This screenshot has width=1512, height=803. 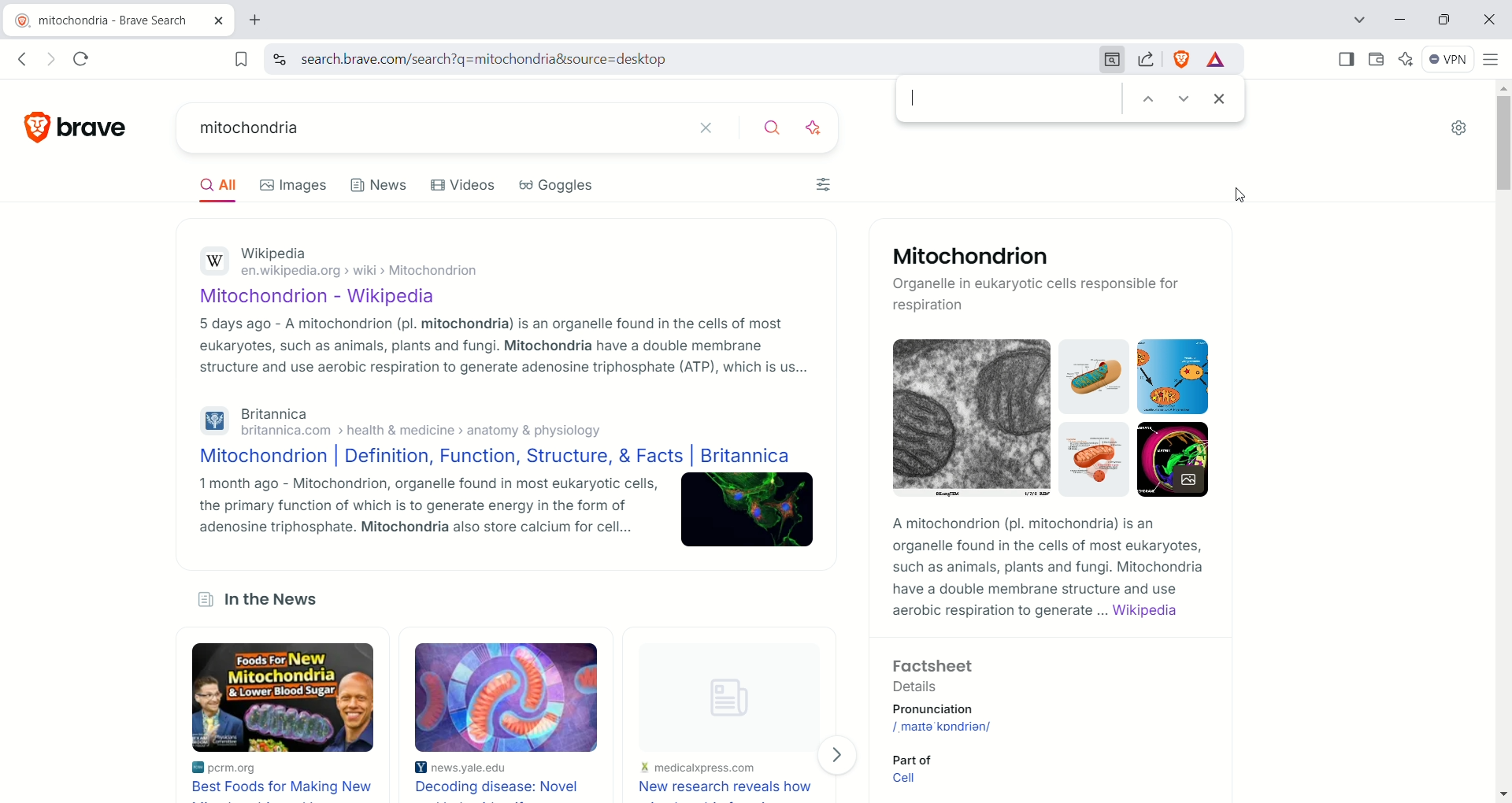 I want to click on brave logo, so click(x=21, y=20).